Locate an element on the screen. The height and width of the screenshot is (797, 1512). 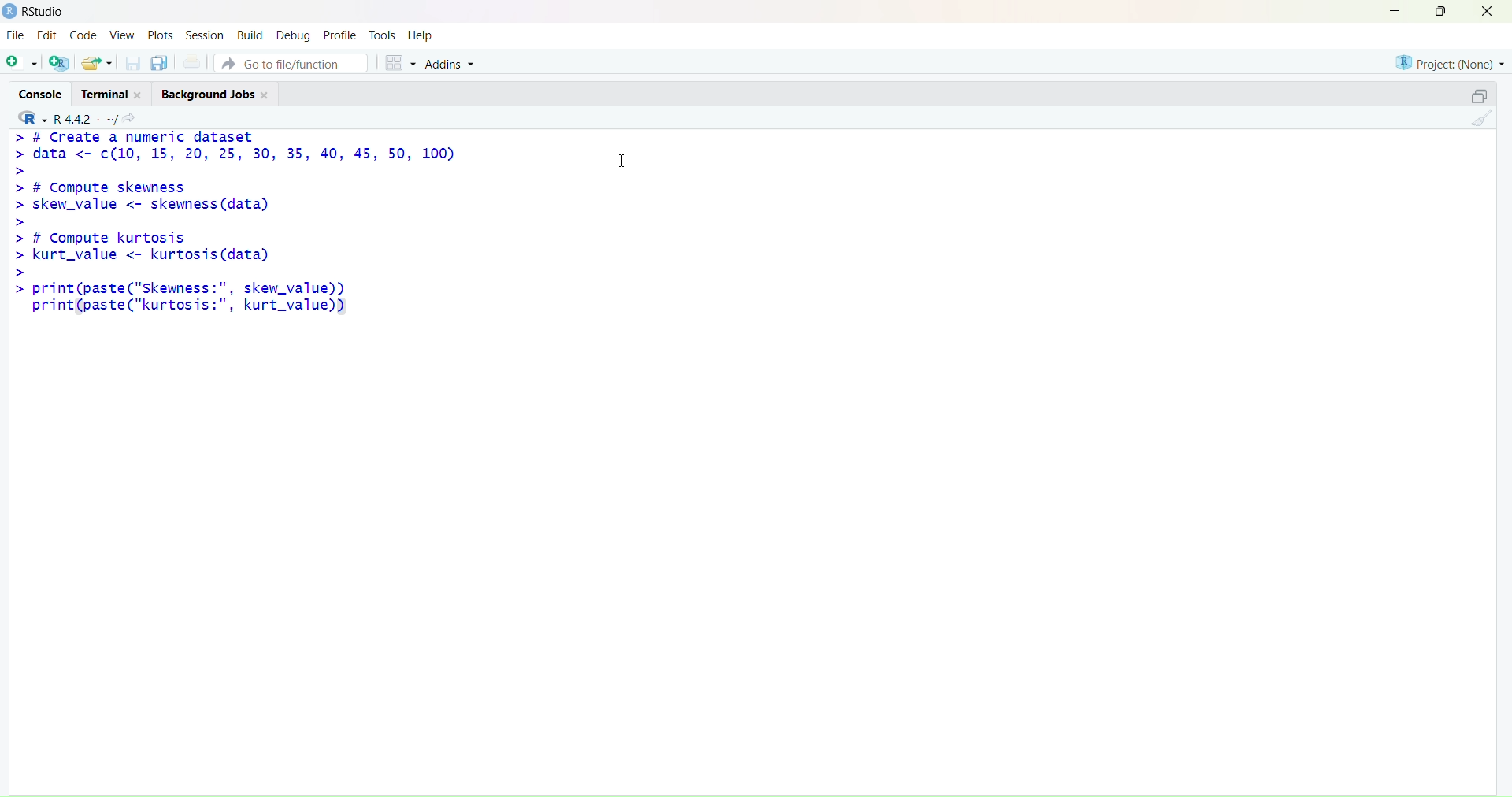
View the current working directory is located at coordinates (134, 117).